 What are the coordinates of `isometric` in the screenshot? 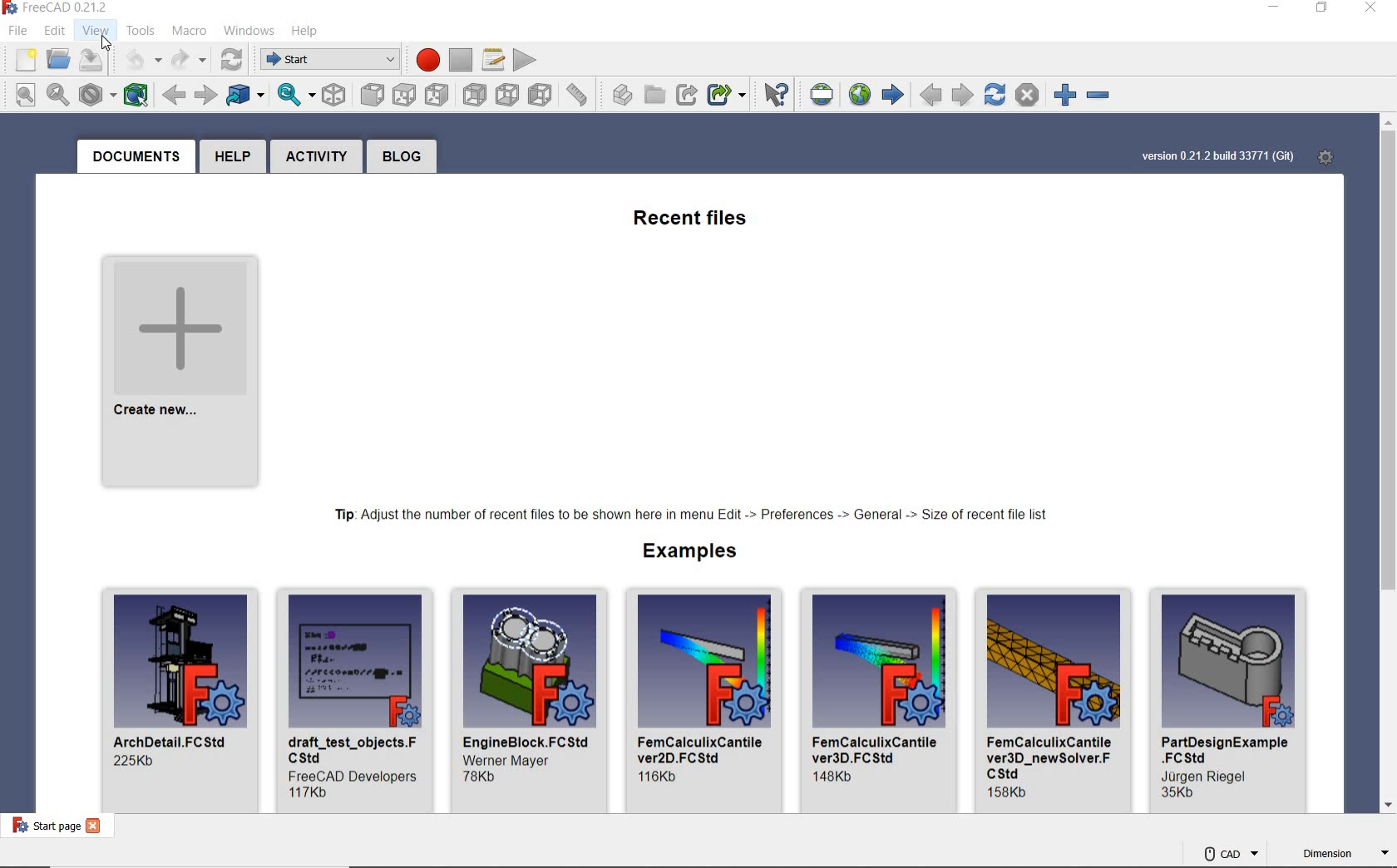 It's located at (334, 97).